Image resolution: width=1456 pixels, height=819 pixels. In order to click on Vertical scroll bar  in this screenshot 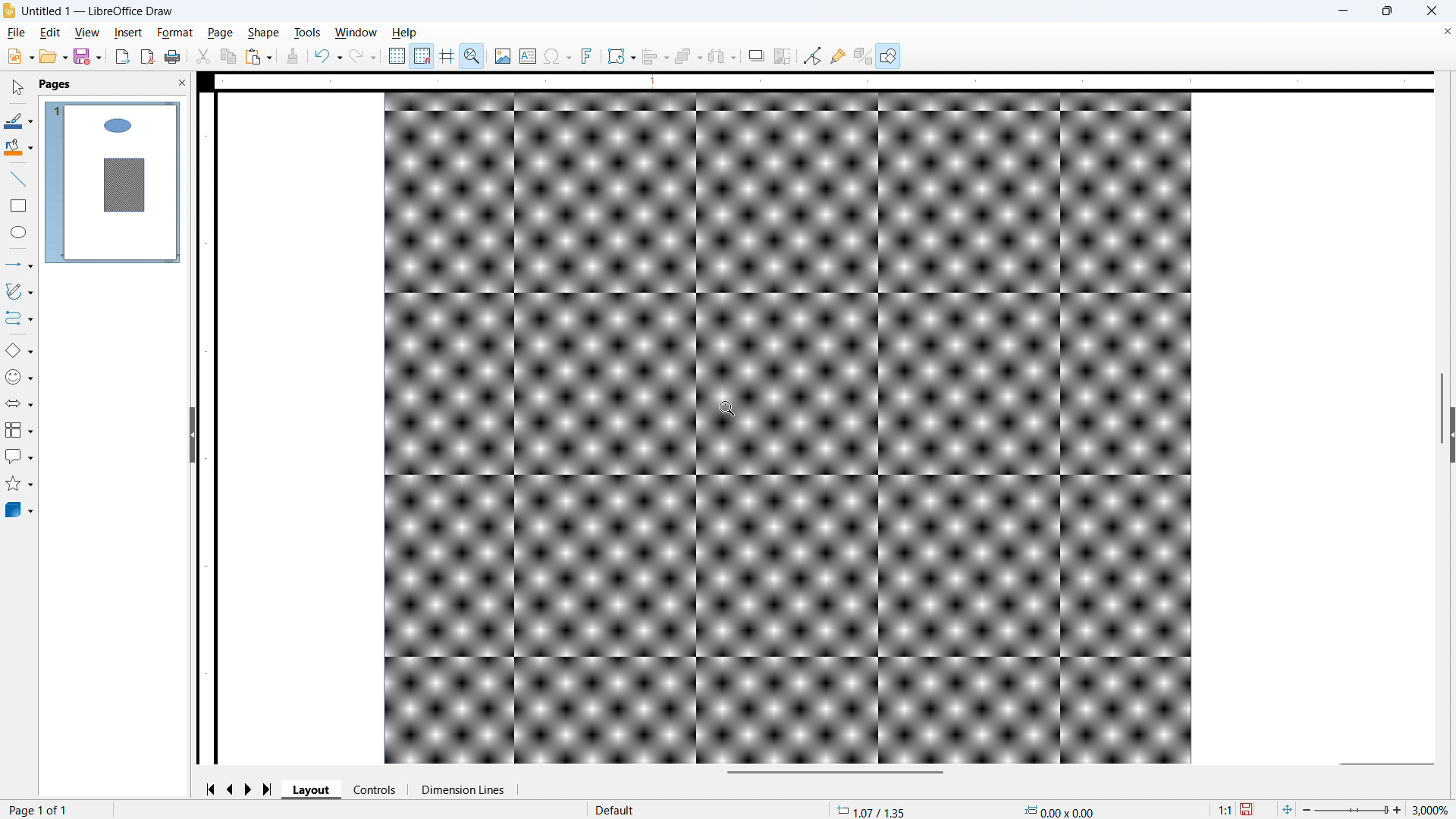, I will do `click(1441, 408)`.